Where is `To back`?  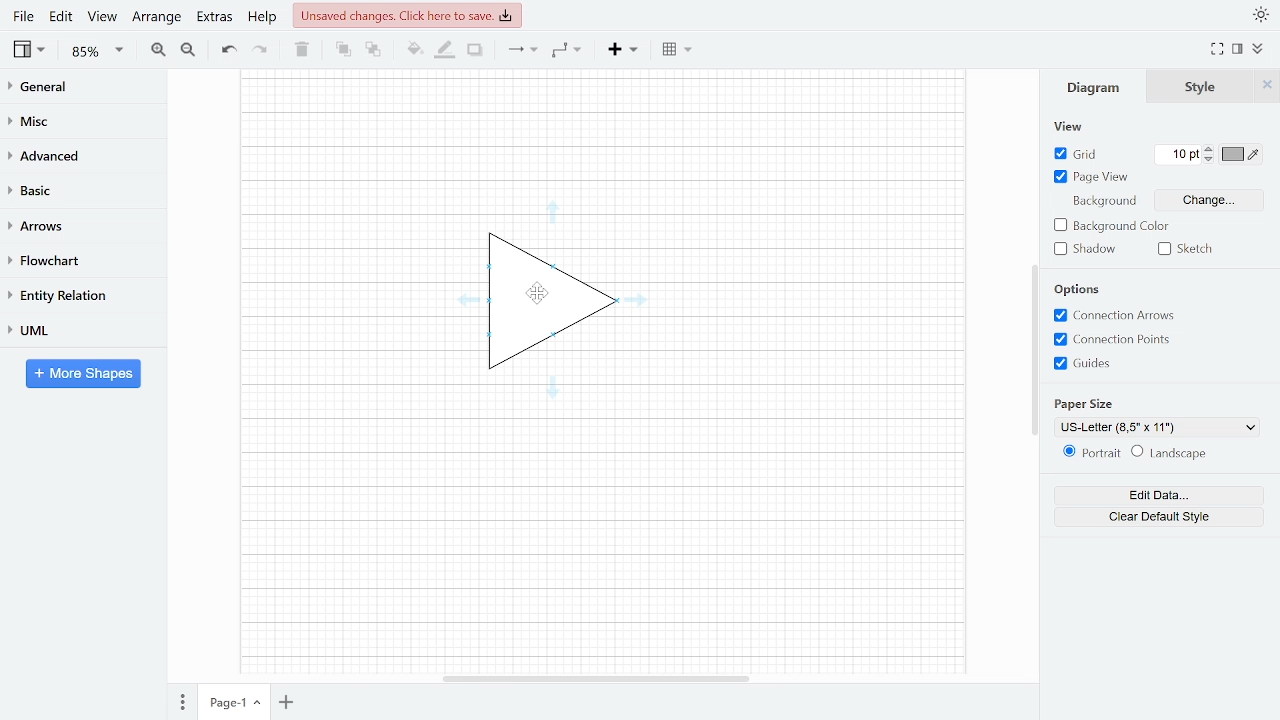 To back is located at coordinates (371, 48).